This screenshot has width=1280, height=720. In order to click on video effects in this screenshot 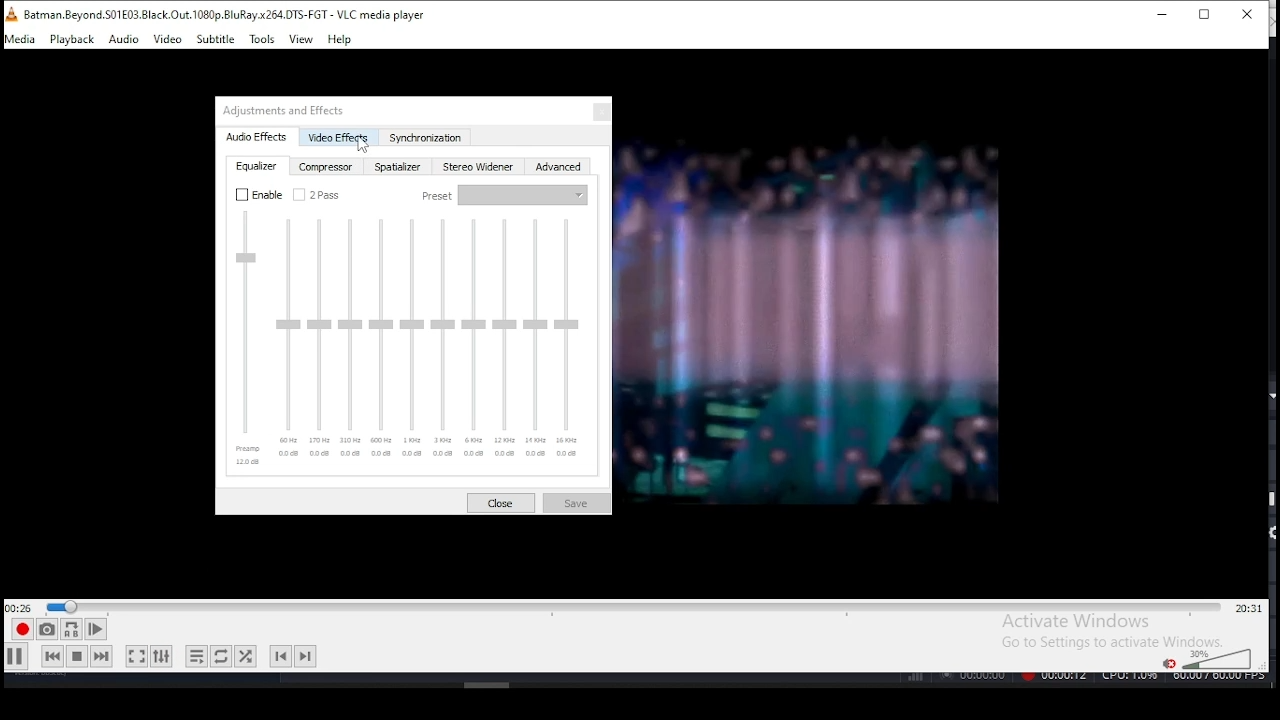, I will do `click(338, 137)`.